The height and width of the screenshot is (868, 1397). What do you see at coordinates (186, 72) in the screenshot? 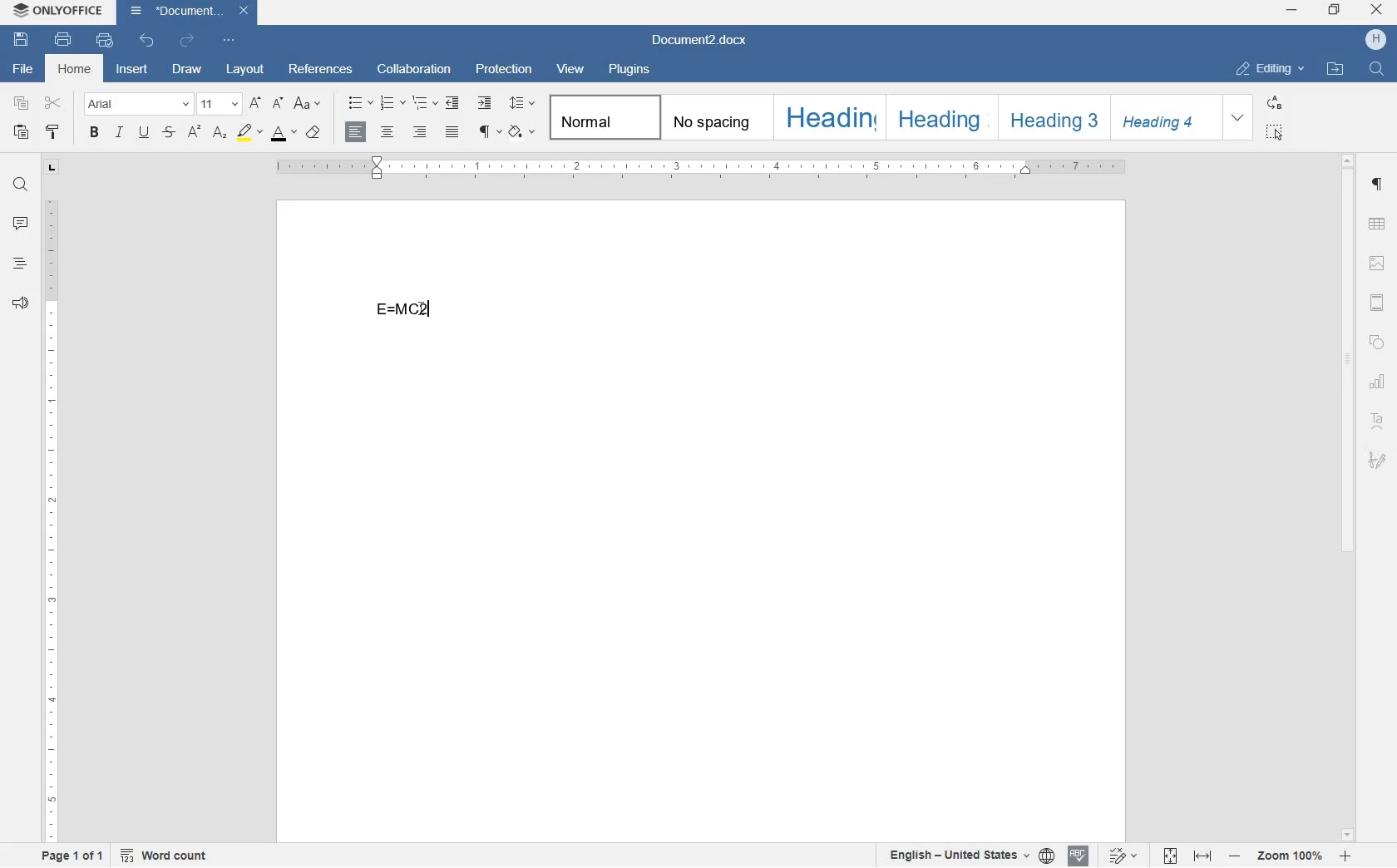
I see `draw` at bounding box center [186, 72].